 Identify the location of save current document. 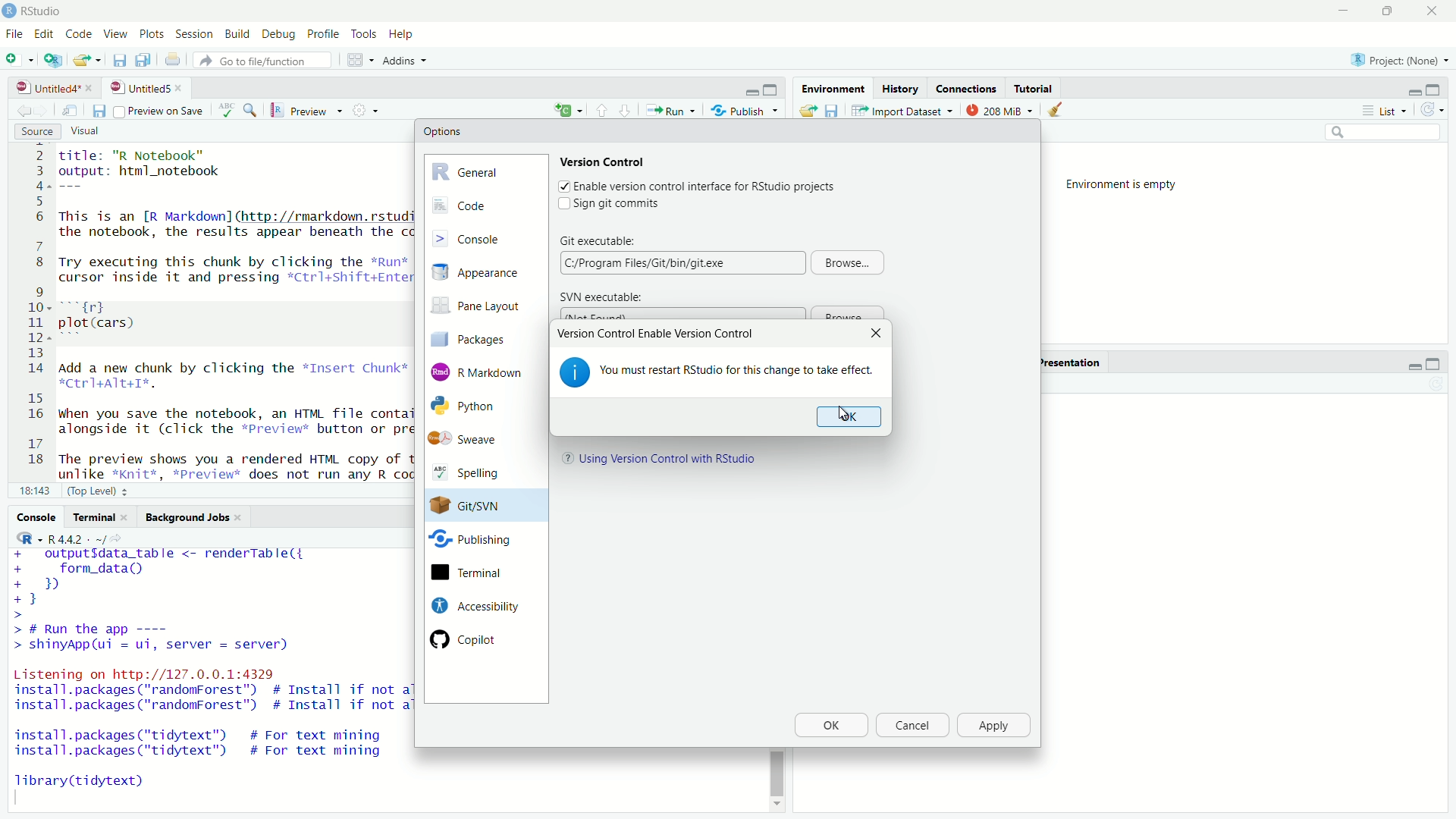
(120, 60).